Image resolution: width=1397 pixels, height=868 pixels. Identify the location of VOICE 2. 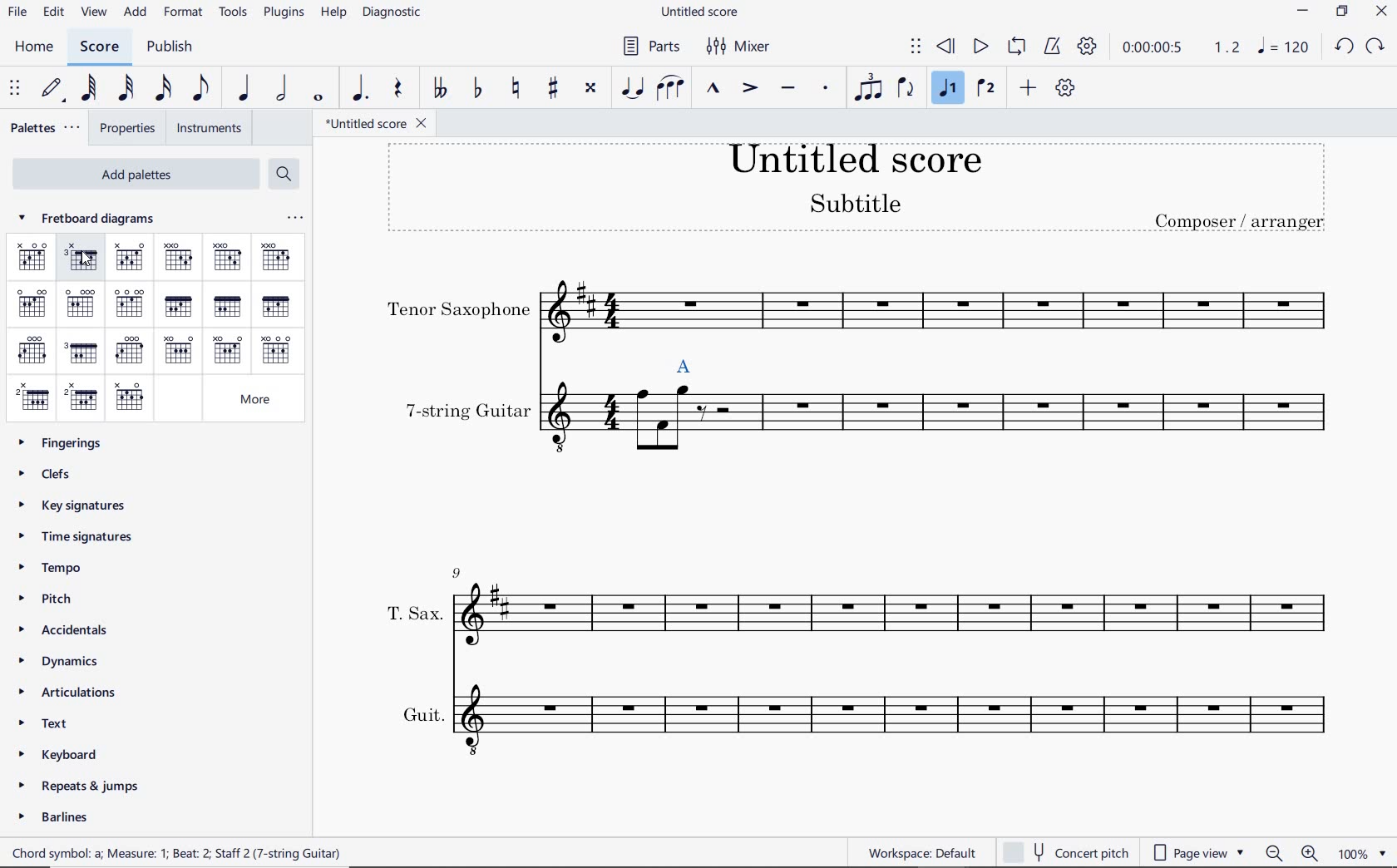
(985, 89).